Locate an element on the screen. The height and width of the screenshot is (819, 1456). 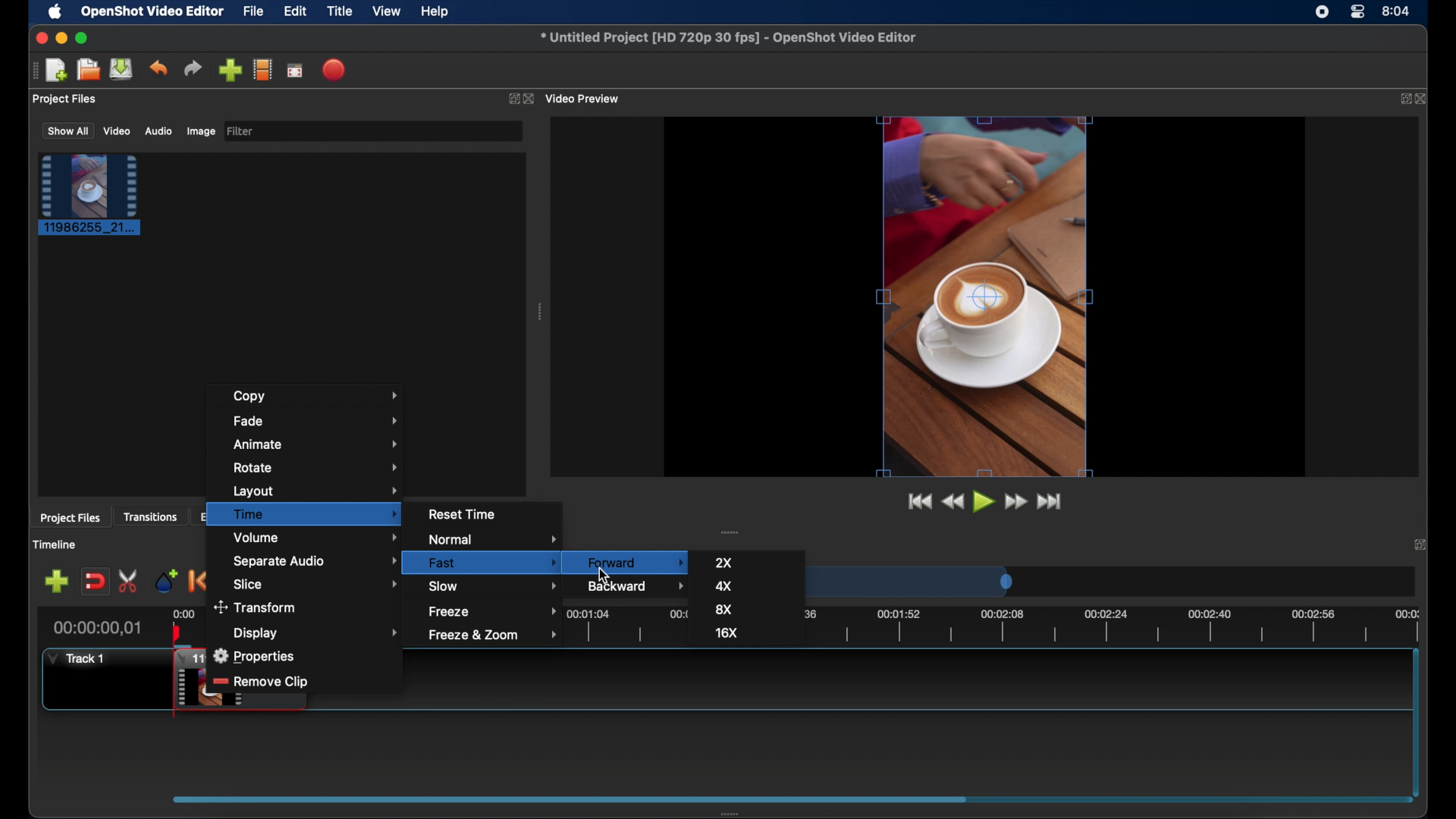
rewind is located at coordinates (953, 502).